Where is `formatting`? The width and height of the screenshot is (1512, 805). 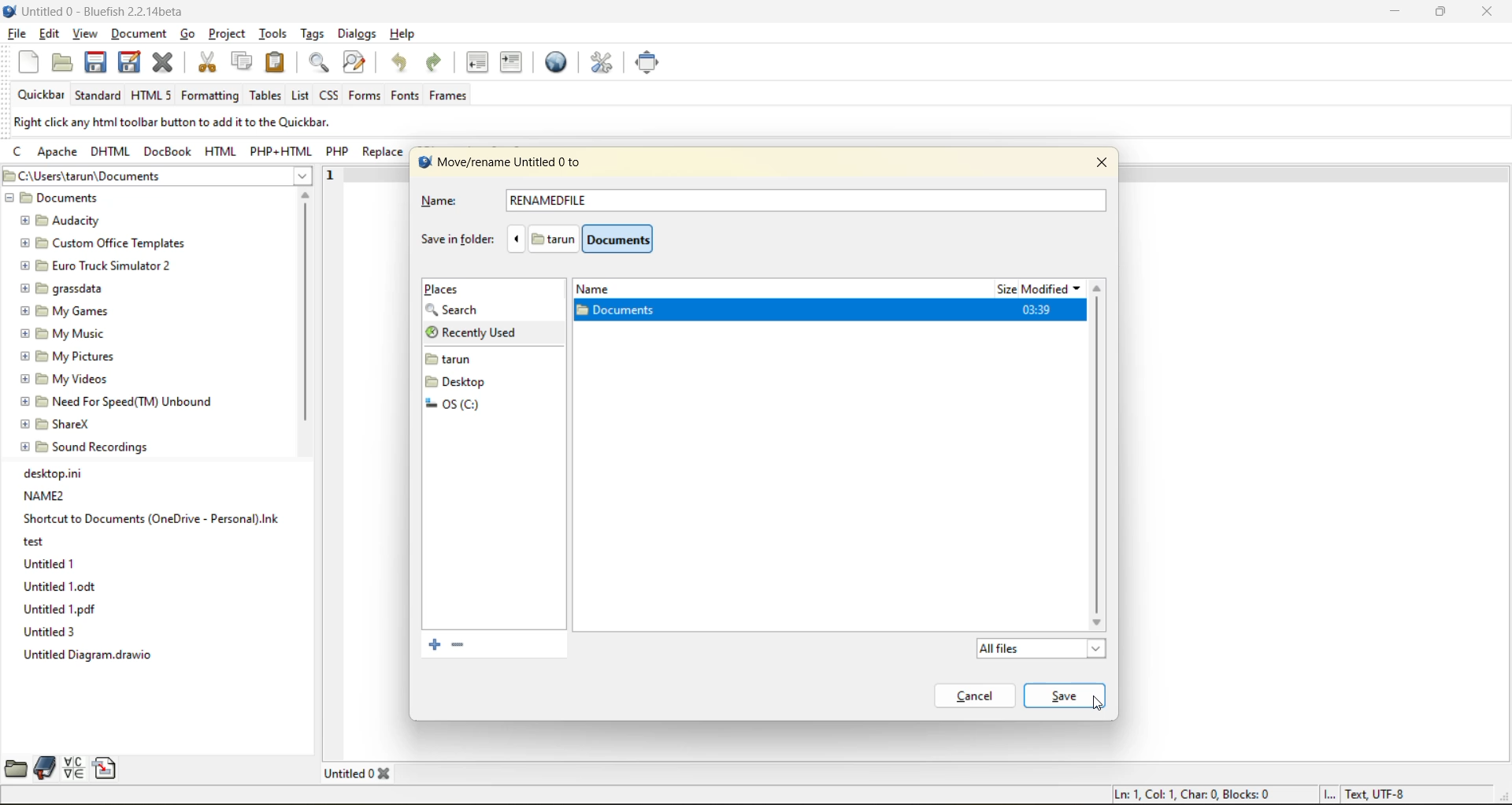
formatting is located at coordinates (211, 97).